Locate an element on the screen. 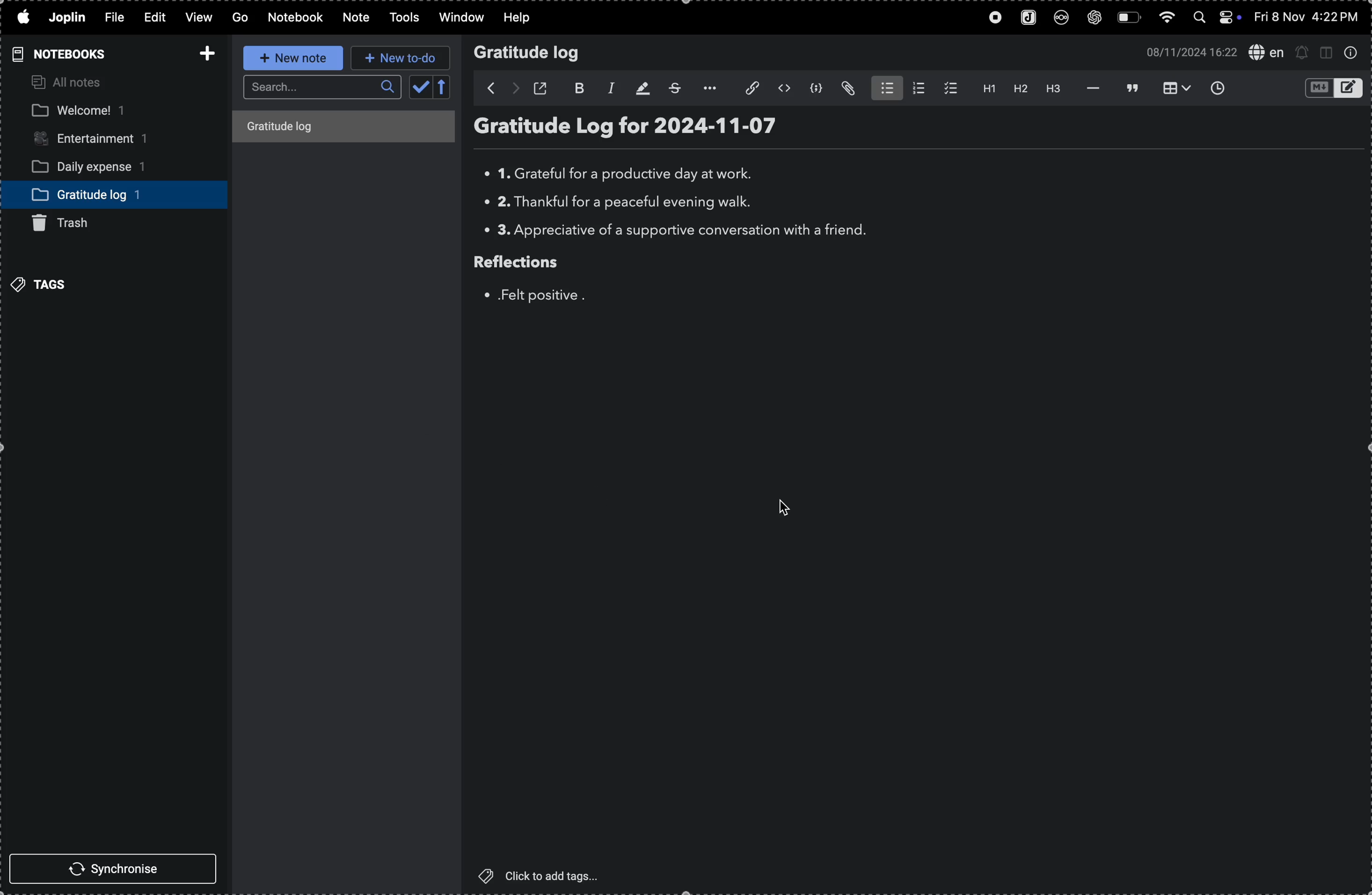 Image resolution: width=1372 pixels, height=895 pixels. table view is located at coordinates (1173, 87).